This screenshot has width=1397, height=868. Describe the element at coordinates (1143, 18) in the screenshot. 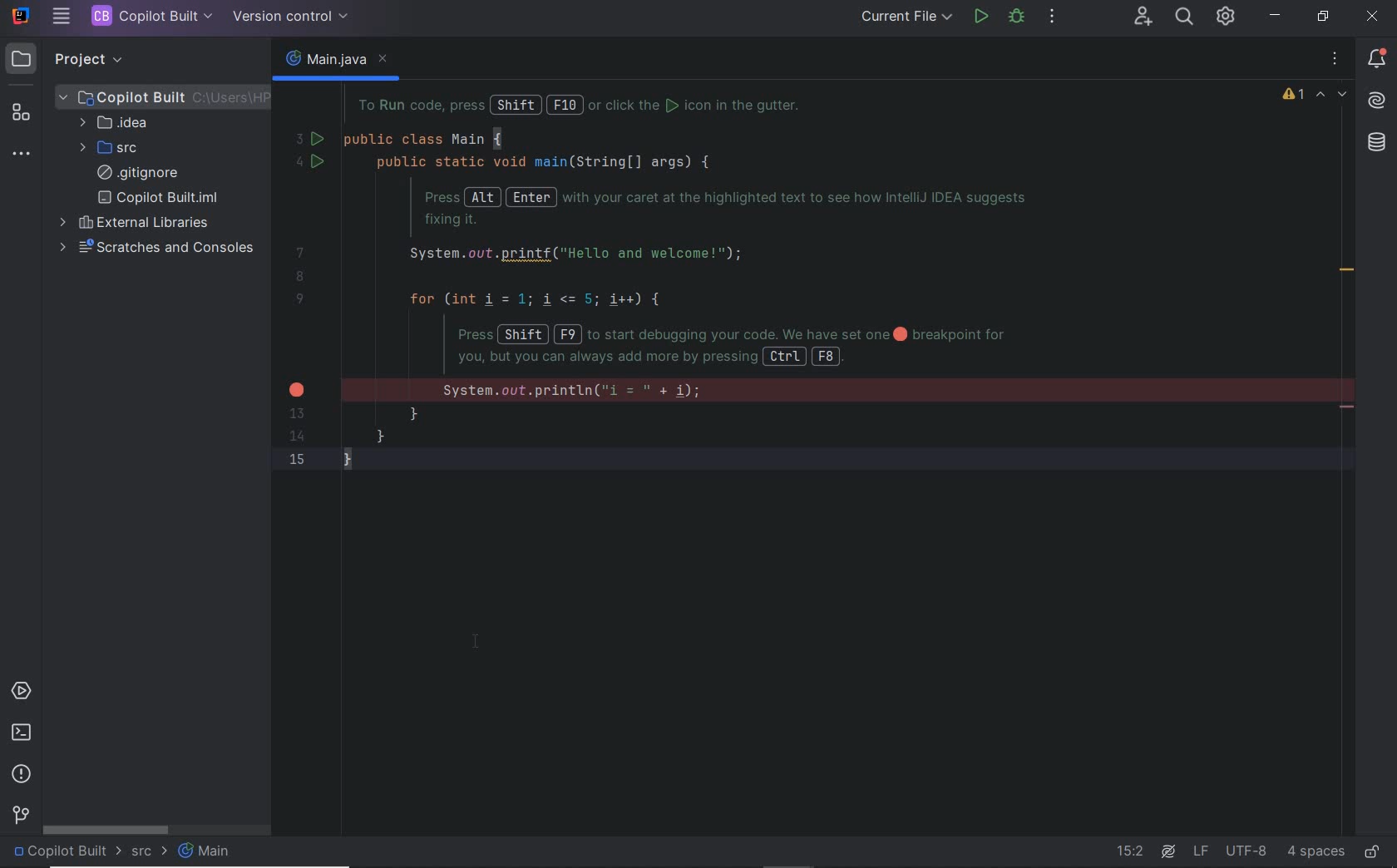

I see `CODE WITH ME` at that location.